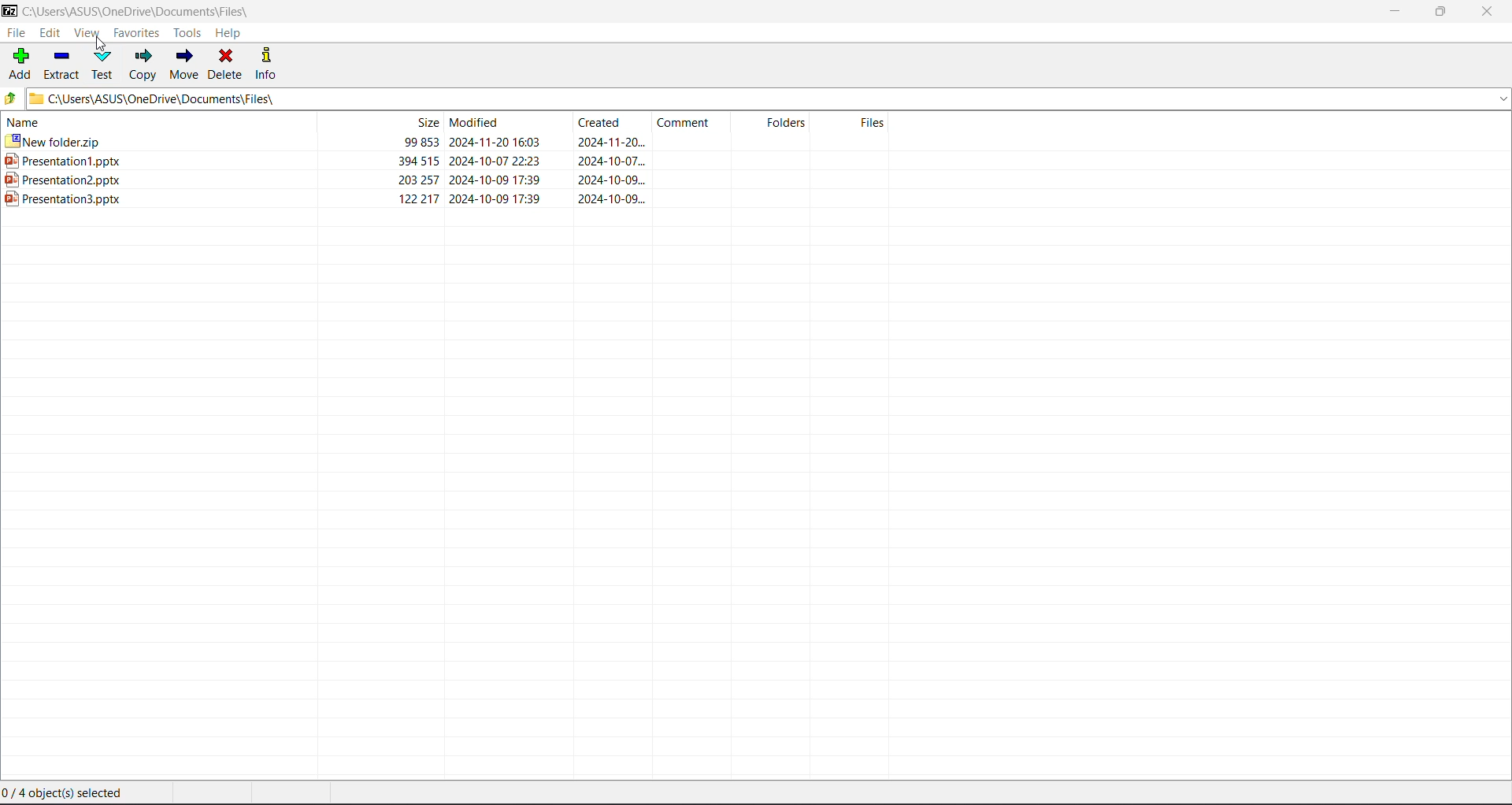 This screenshot has width=1512, height=805. What do you see at coordinates (50, 32) in the screenshot?
I see `Edit` at bounding box center [50, 32].